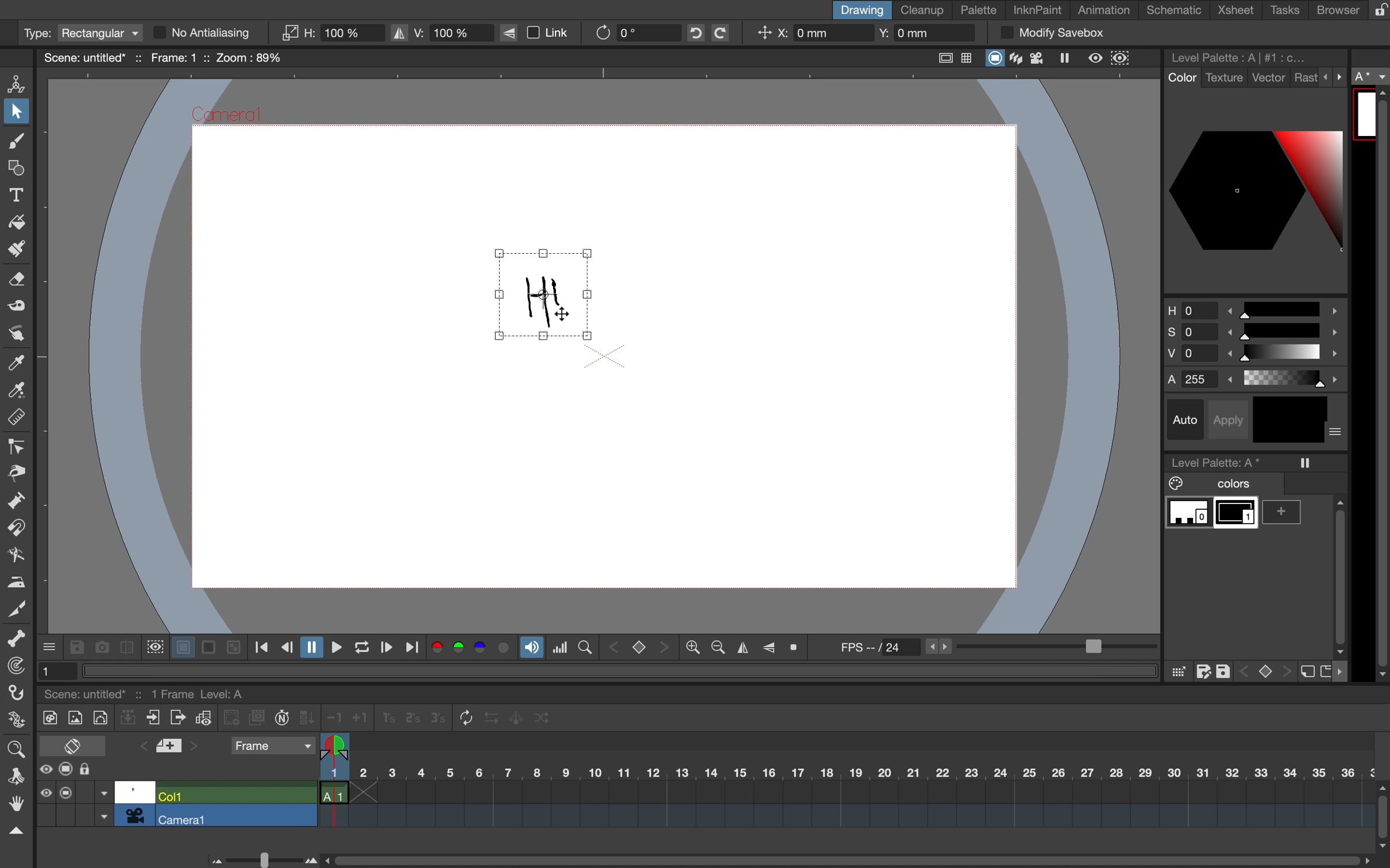 The image size is (1390, 868). I want to click on plastic tool, so click(15, 722).